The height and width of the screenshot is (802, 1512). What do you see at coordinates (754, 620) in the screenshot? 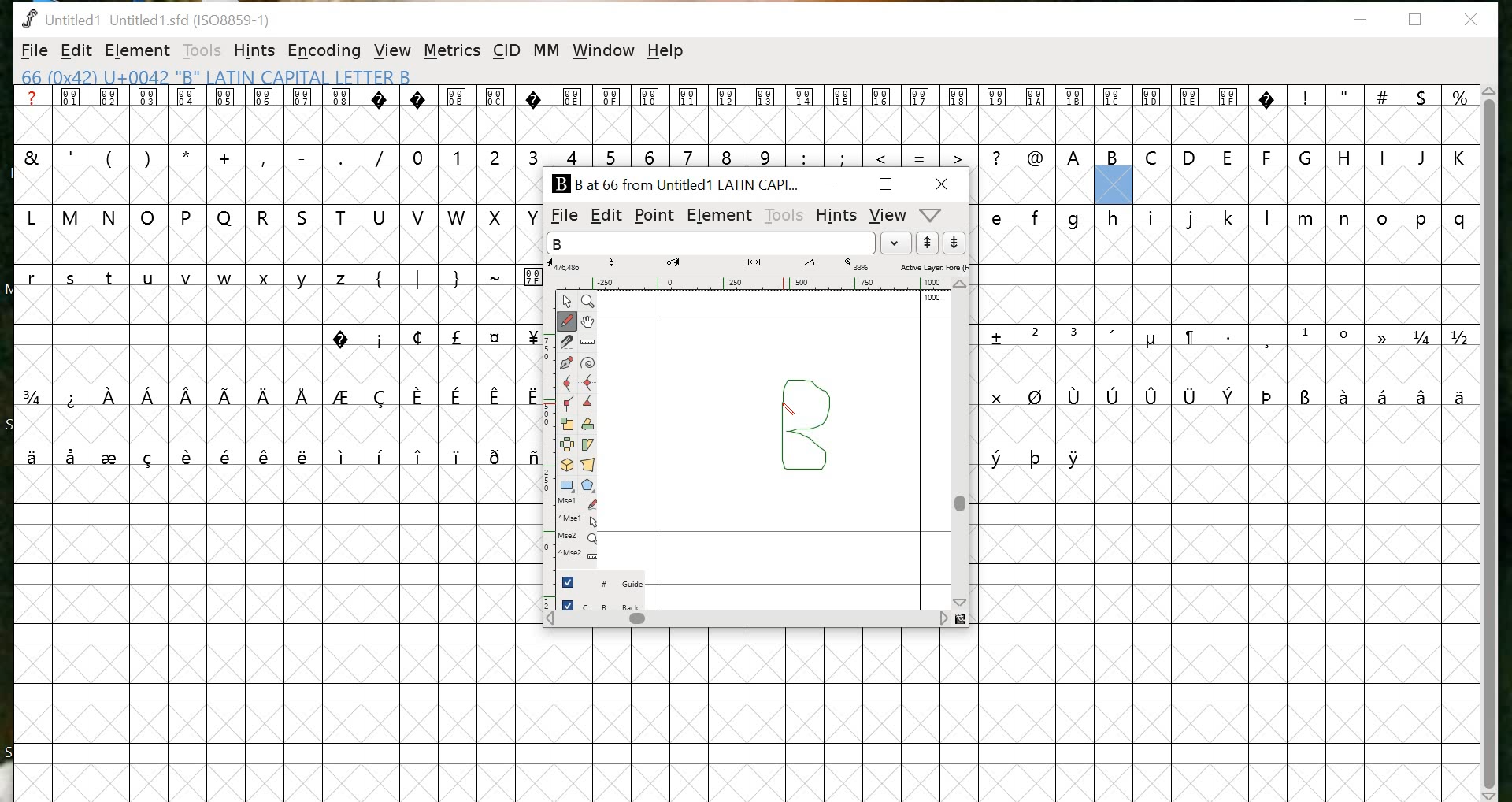
I see `scrollbar` at bounding box center [754, 620].